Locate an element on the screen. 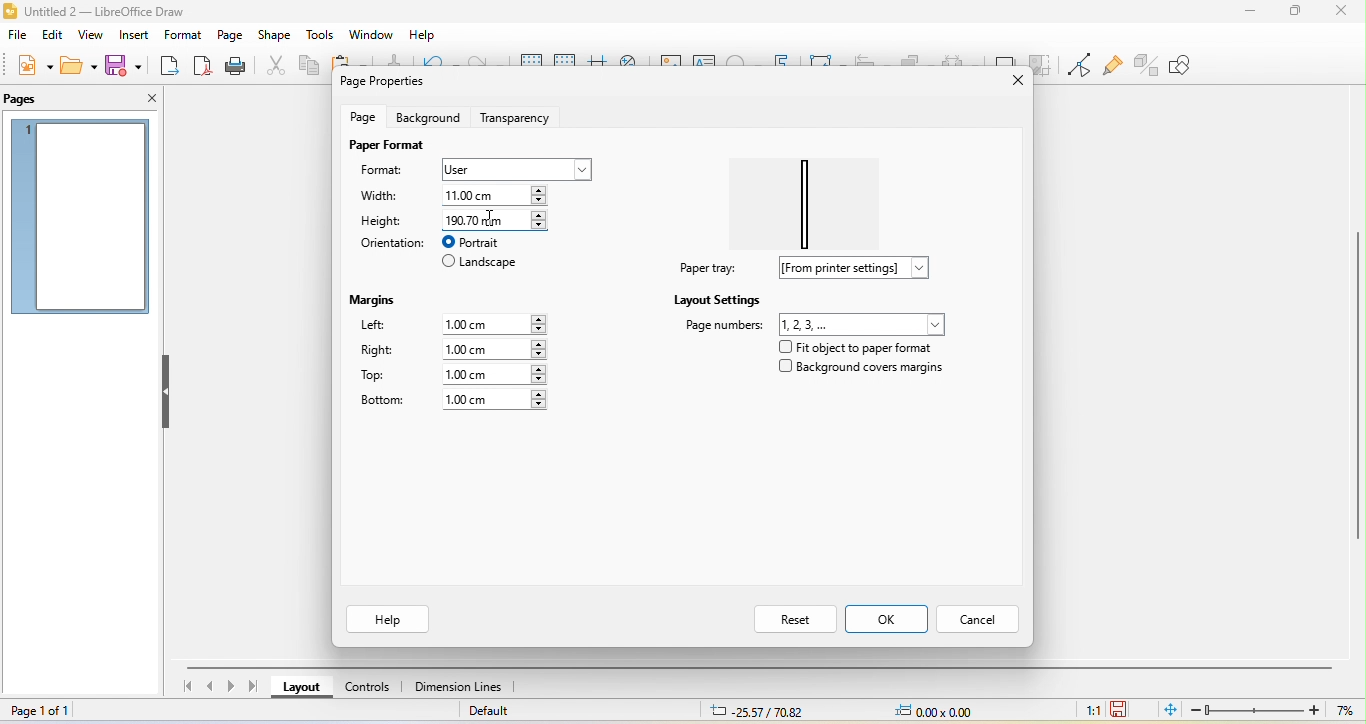 The width and height of the screenshot is (1366, 724). file is located at coordinates (17, 37).